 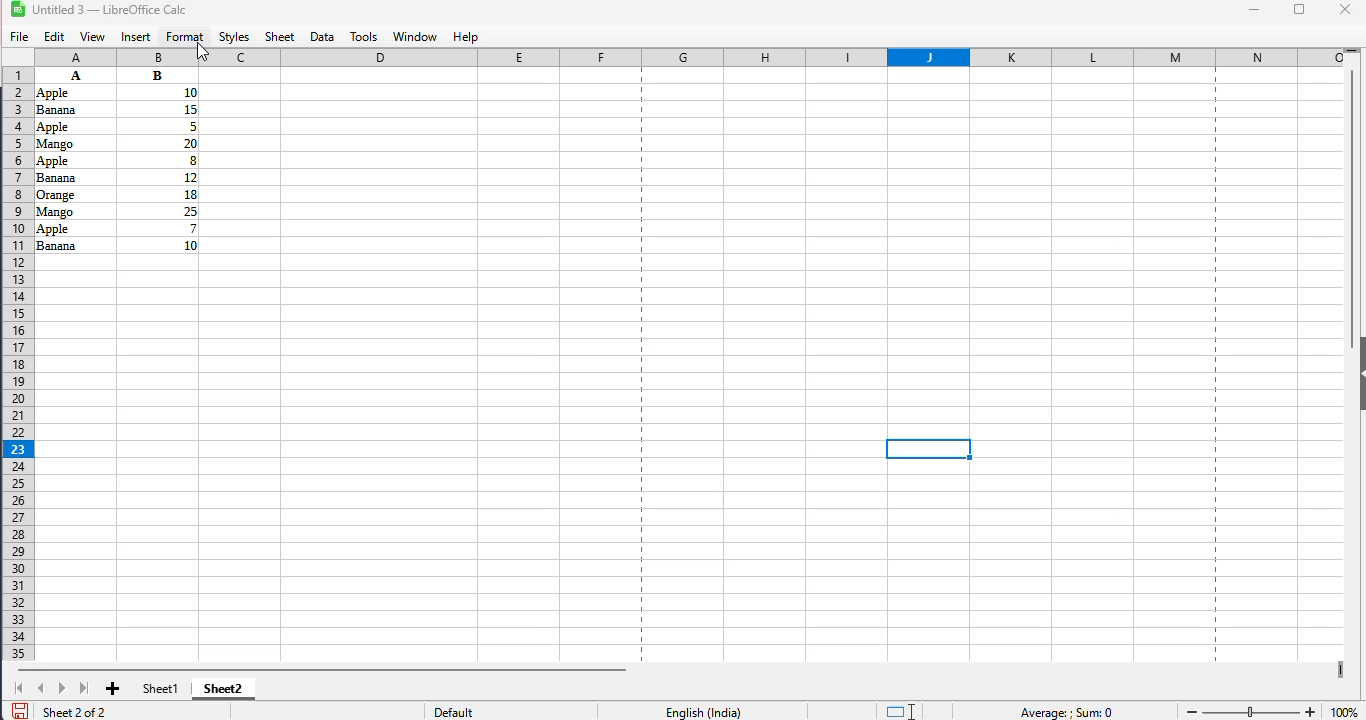 What do you see at coordinates (235, 38) in the screenshot?
I see `styles` at bounding box center [235, 38].